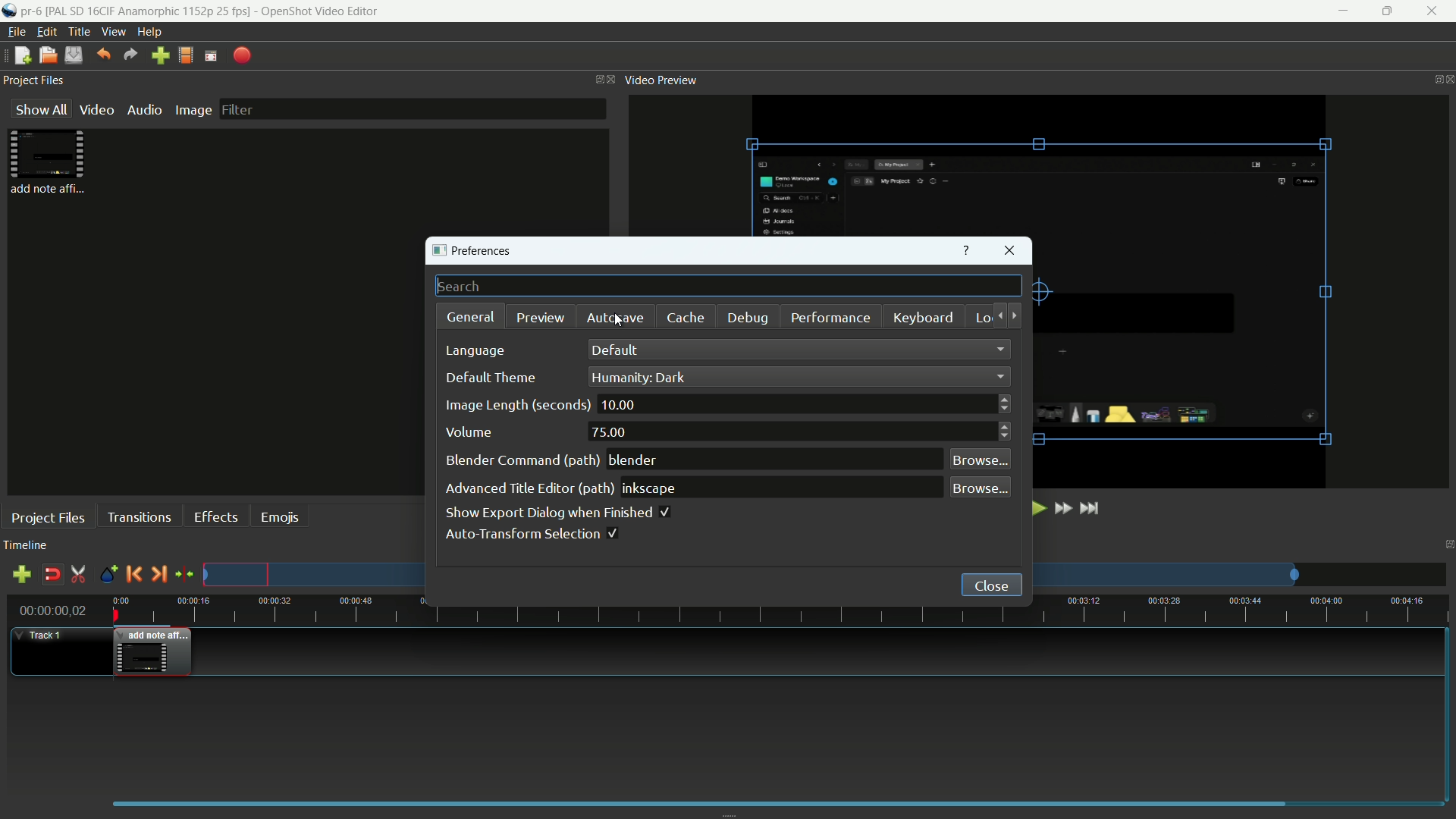 This screenshot has height=819, width=1456. Describe the element at coordinates (79, 33) in the screenshot. I see `title menu` at that location.